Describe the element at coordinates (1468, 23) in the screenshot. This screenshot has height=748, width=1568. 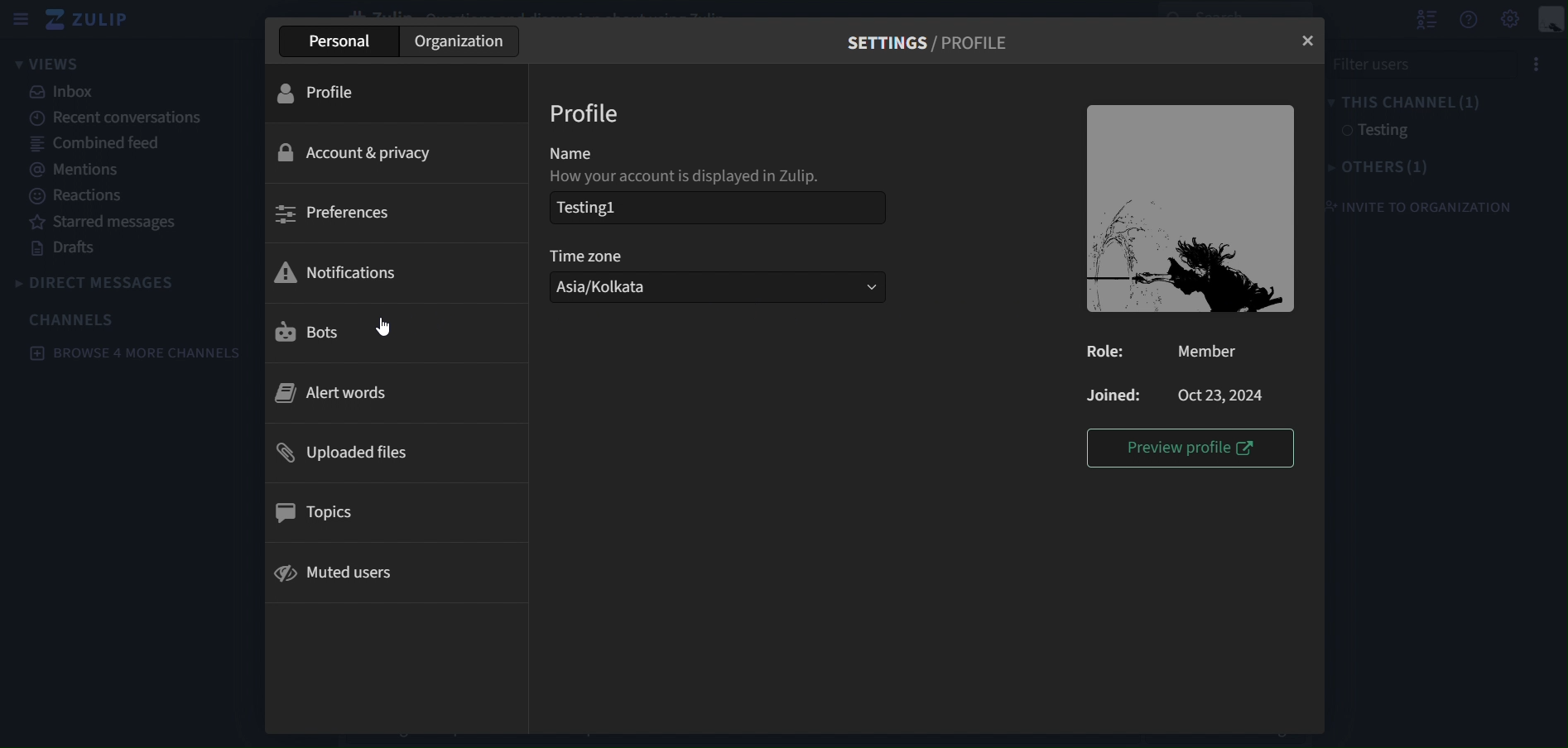
I see `get help` at that location.